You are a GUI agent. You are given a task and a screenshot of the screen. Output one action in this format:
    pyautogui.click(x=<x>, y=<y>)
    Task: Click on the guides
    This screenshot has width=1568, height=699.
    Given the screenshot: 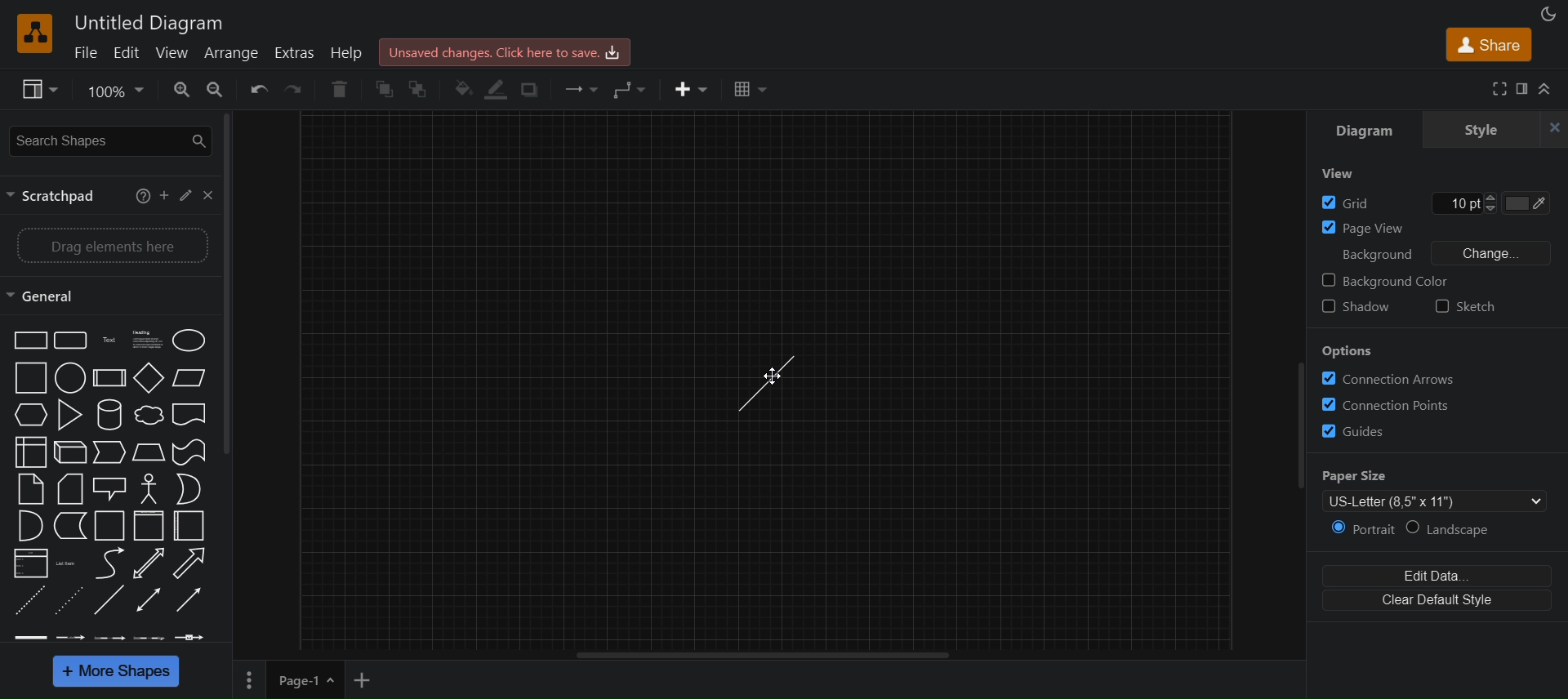 What is the action you would take?
    pyautogui.click(x=1365, y=431)
    